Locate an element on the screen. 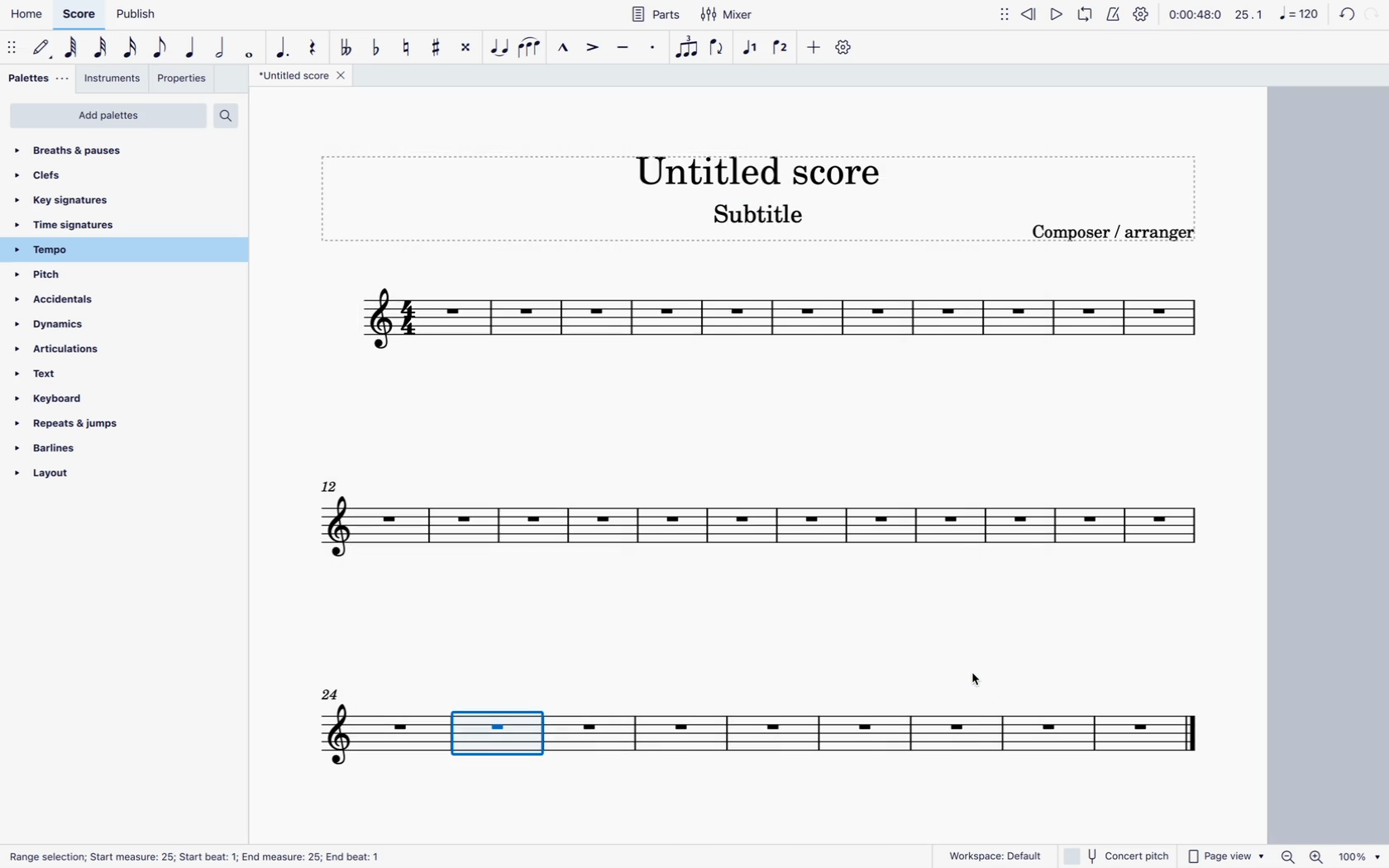 The width and height of the screenshot is (1389, 868). selected voice 1 is located at coordinates (752, 48).